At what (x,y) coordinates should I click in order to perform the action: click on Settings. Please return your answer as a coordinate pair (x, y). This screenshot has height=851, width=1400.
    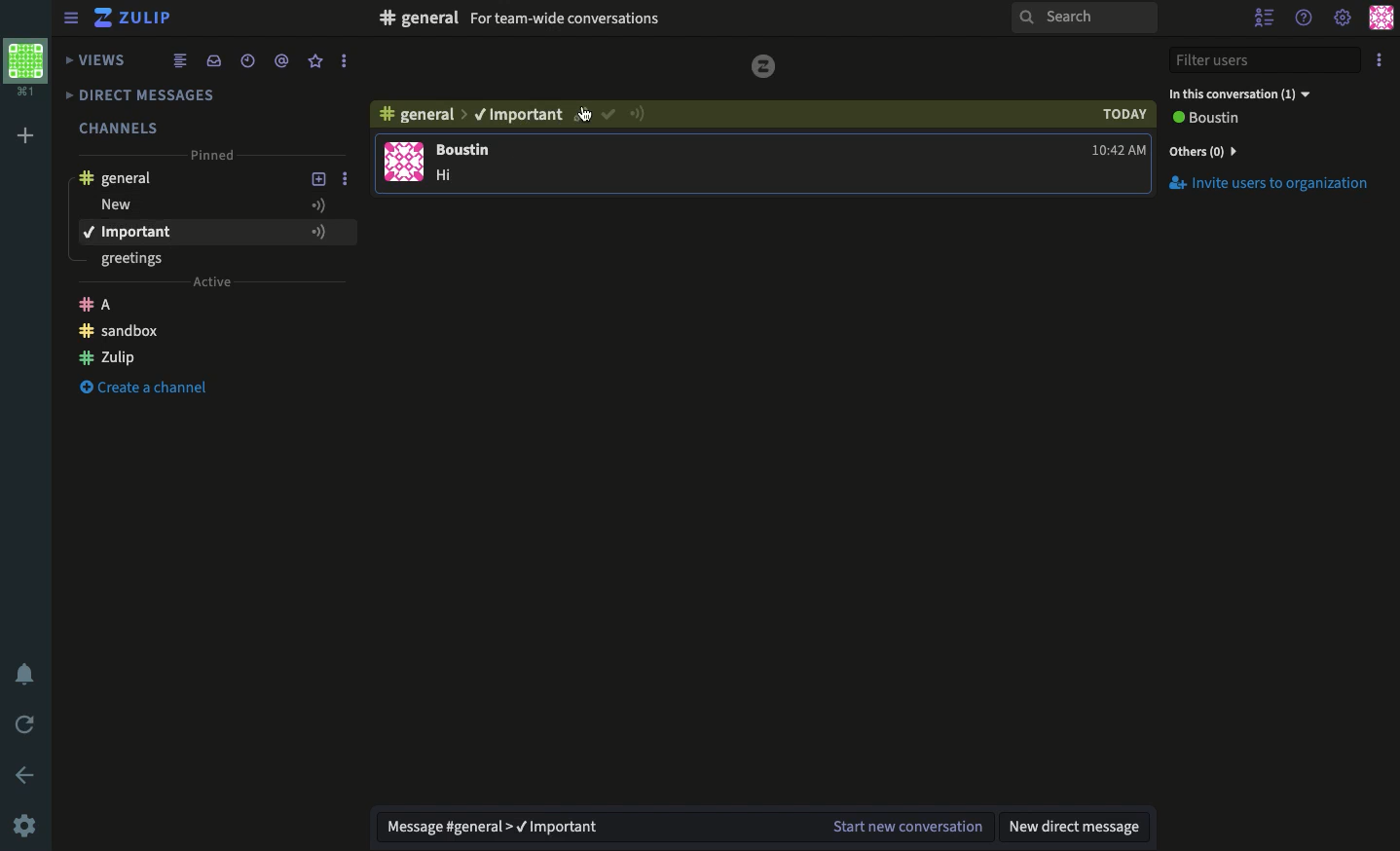
    Looking at the image, I should click on (27, 825).